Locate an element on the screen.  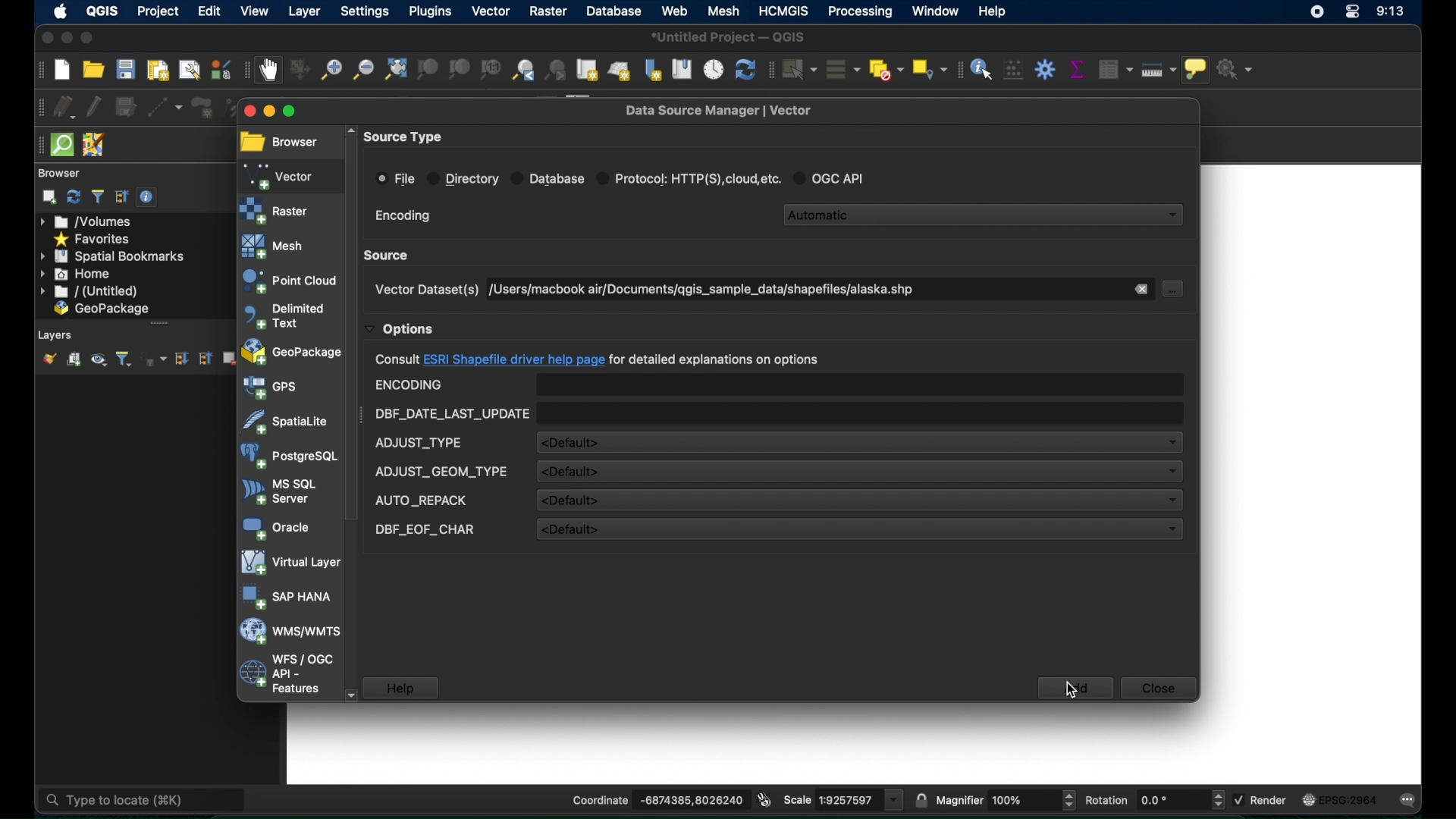
processing is located at coordinates (862, 13).